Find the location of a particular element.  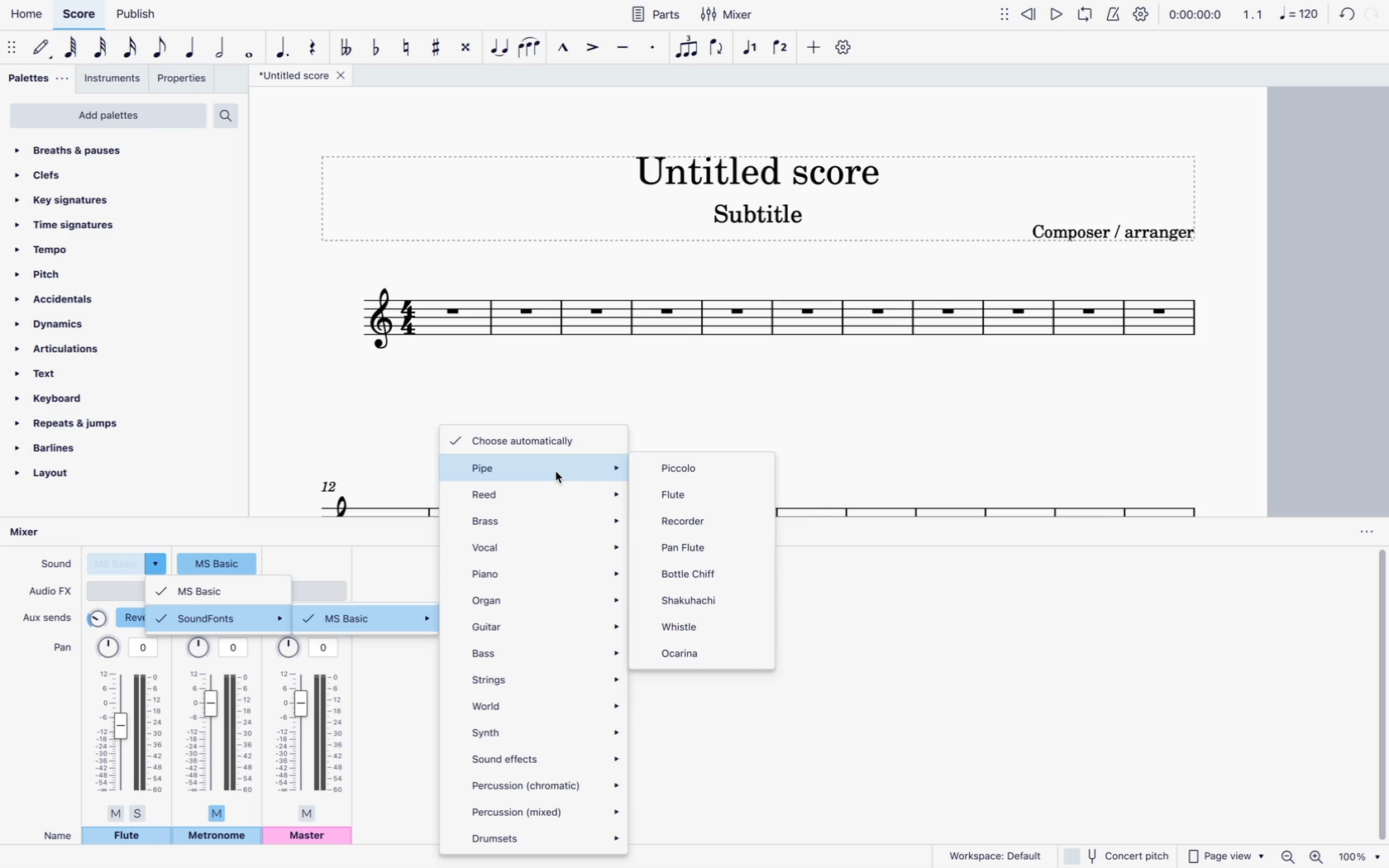

workspace is located at coordinates (990, 855).